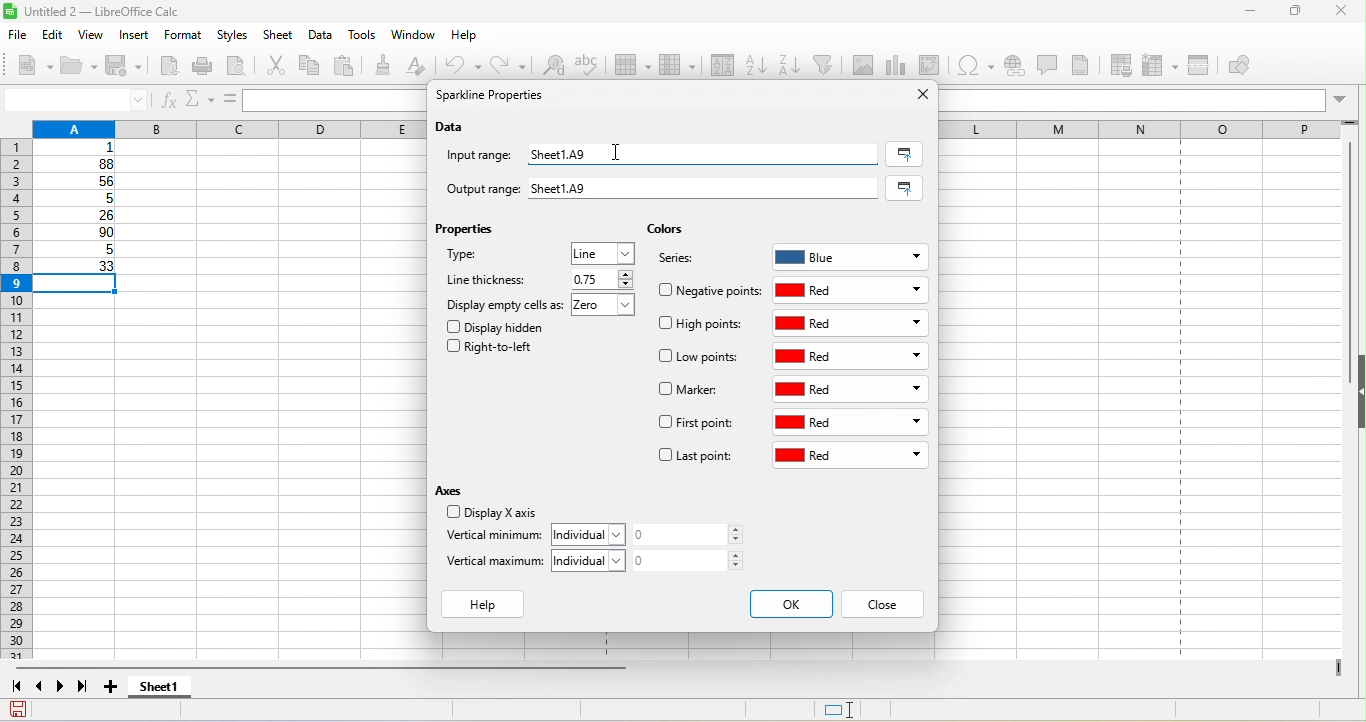  What do you see at coordinates (15, 401) in the screenshot?
I see `rows` at bounding box center [15, 401].